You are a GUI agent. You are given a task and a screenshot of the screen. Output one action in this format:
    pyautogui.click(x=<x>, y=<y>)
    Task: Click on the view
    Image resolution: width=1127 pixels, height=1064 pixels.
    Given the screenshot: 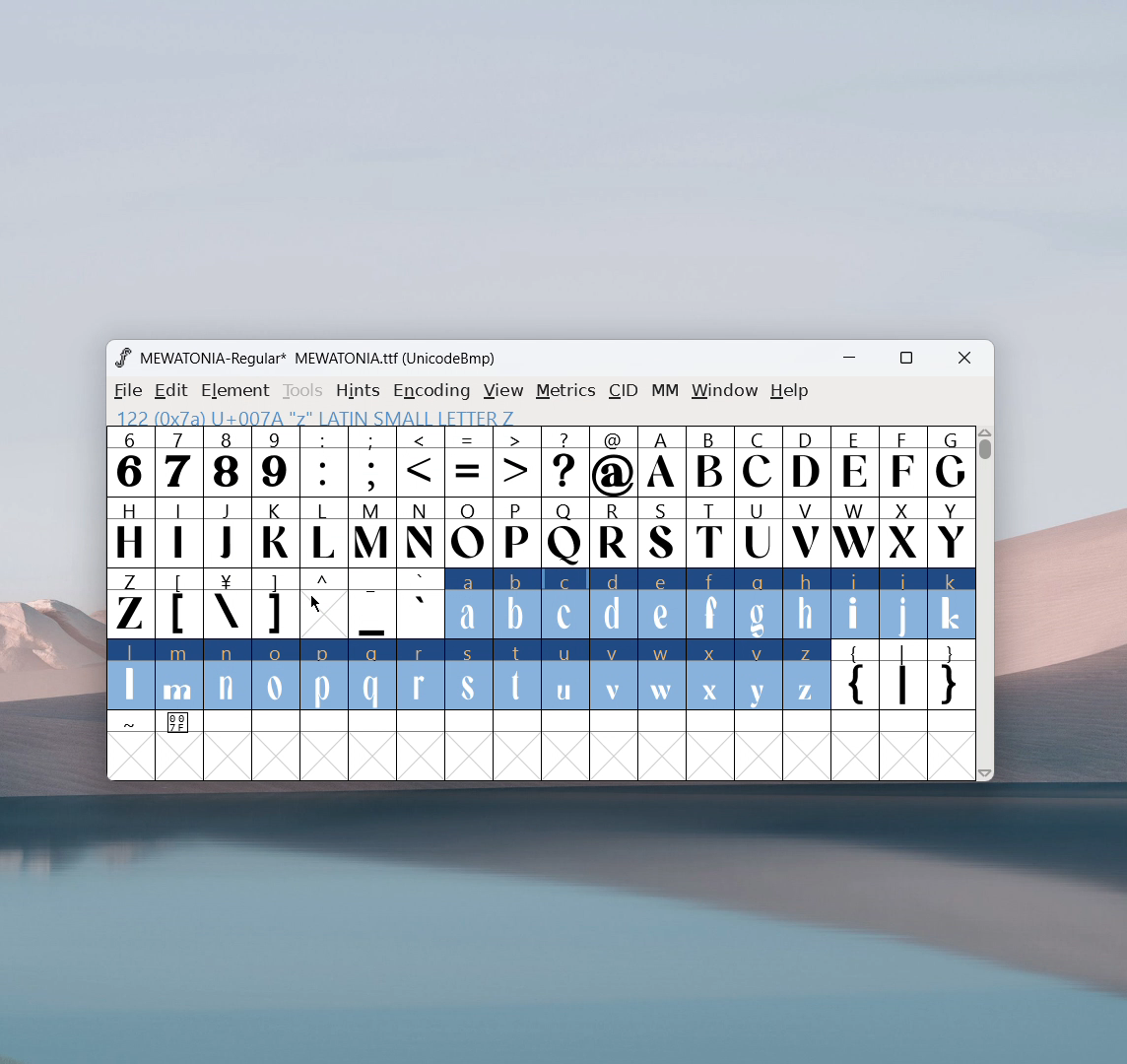 What is the action you would take?
    pyautogui.click(x=503, y=391)
    